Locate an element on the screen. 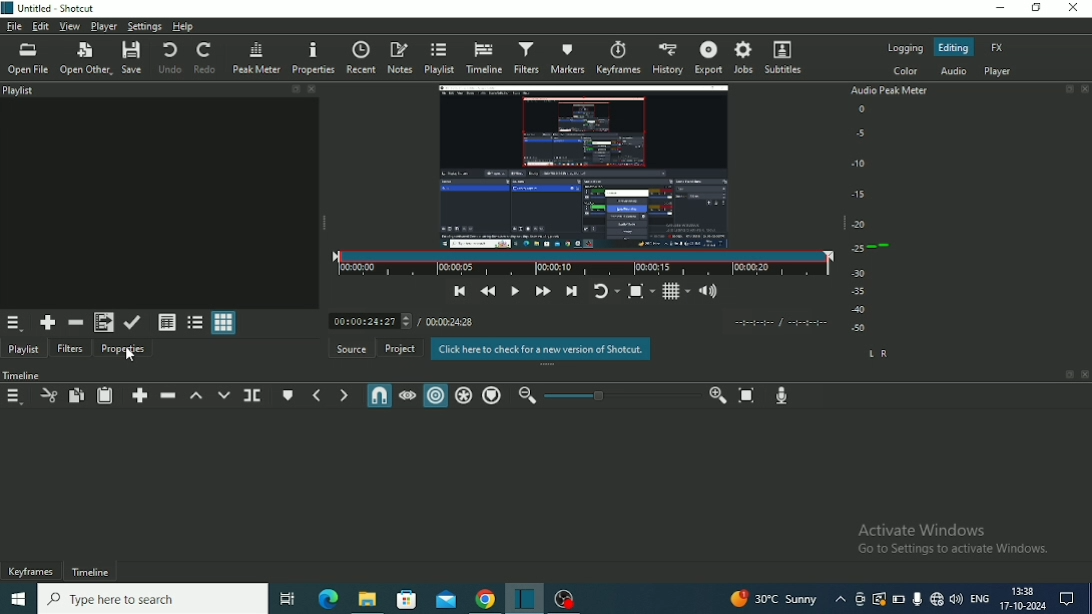 The width and height of the screenshot is (1092, 614). Add the source to the playlist is located at coordinates (49, 323).